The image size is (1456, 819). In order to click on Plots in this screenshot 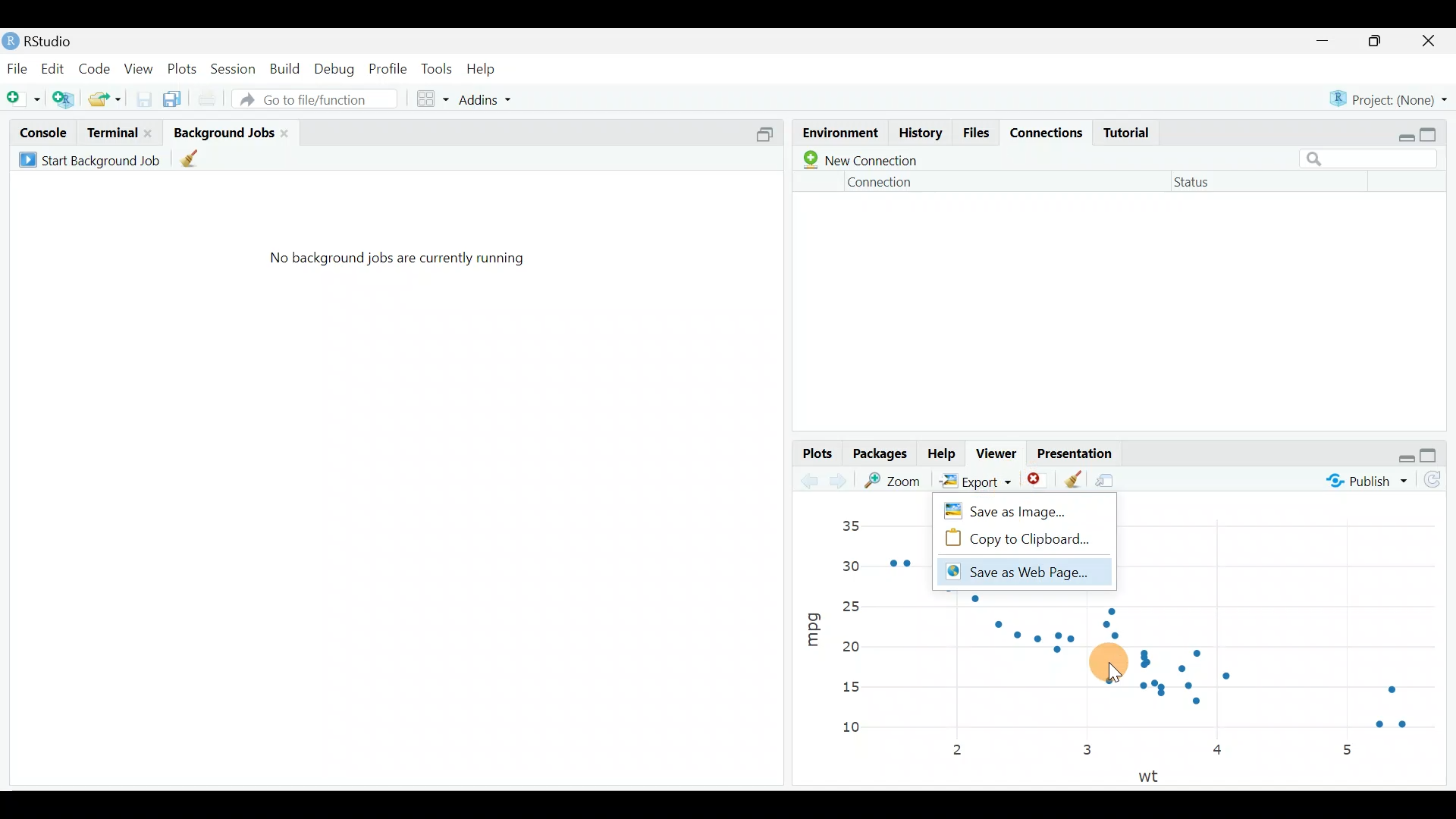, I will do `click(816, 452)`.